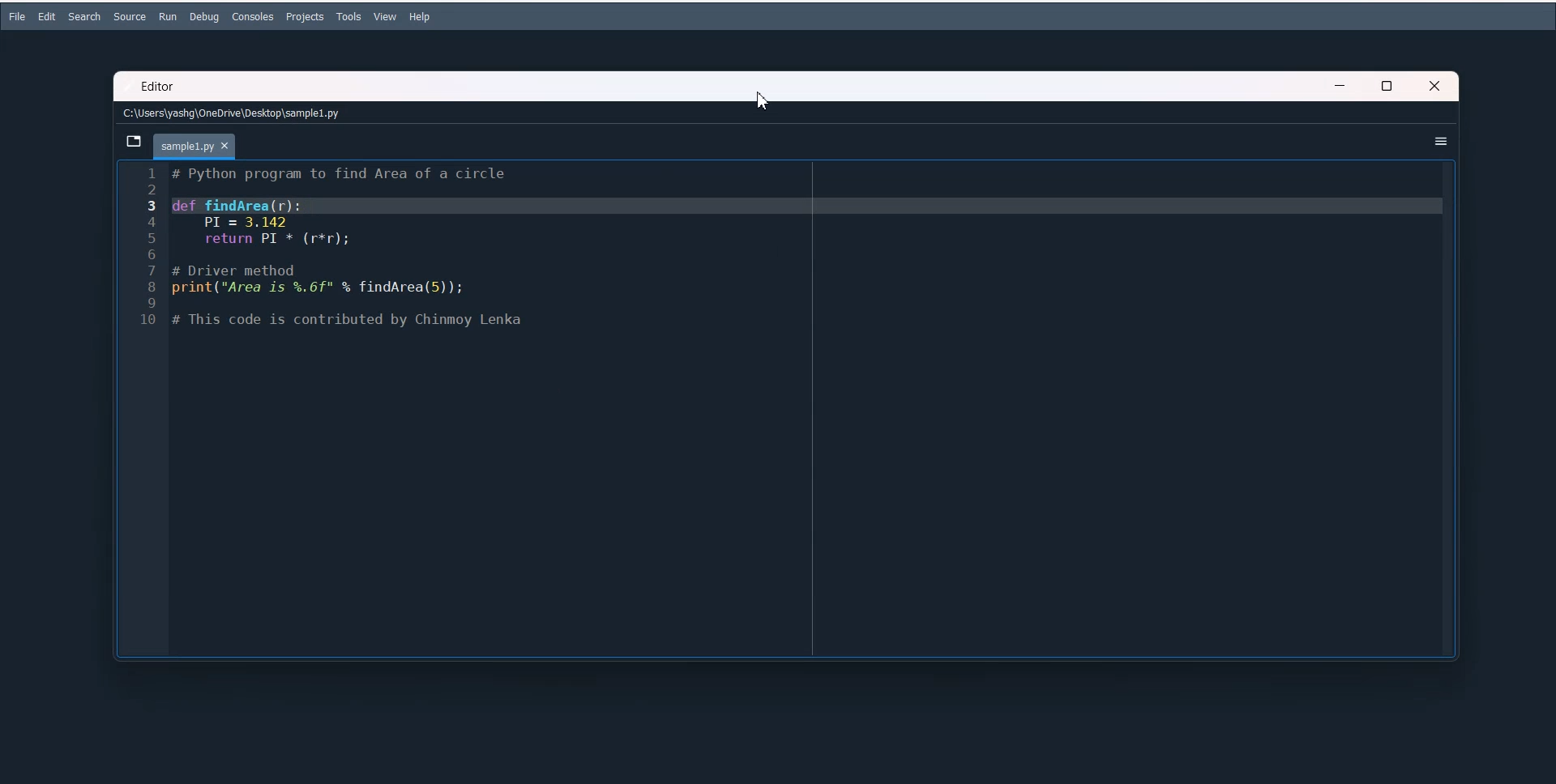 Image resolution: width=1556 pixels, height=784 pixels. I want to click on Search, so click(83, 17).